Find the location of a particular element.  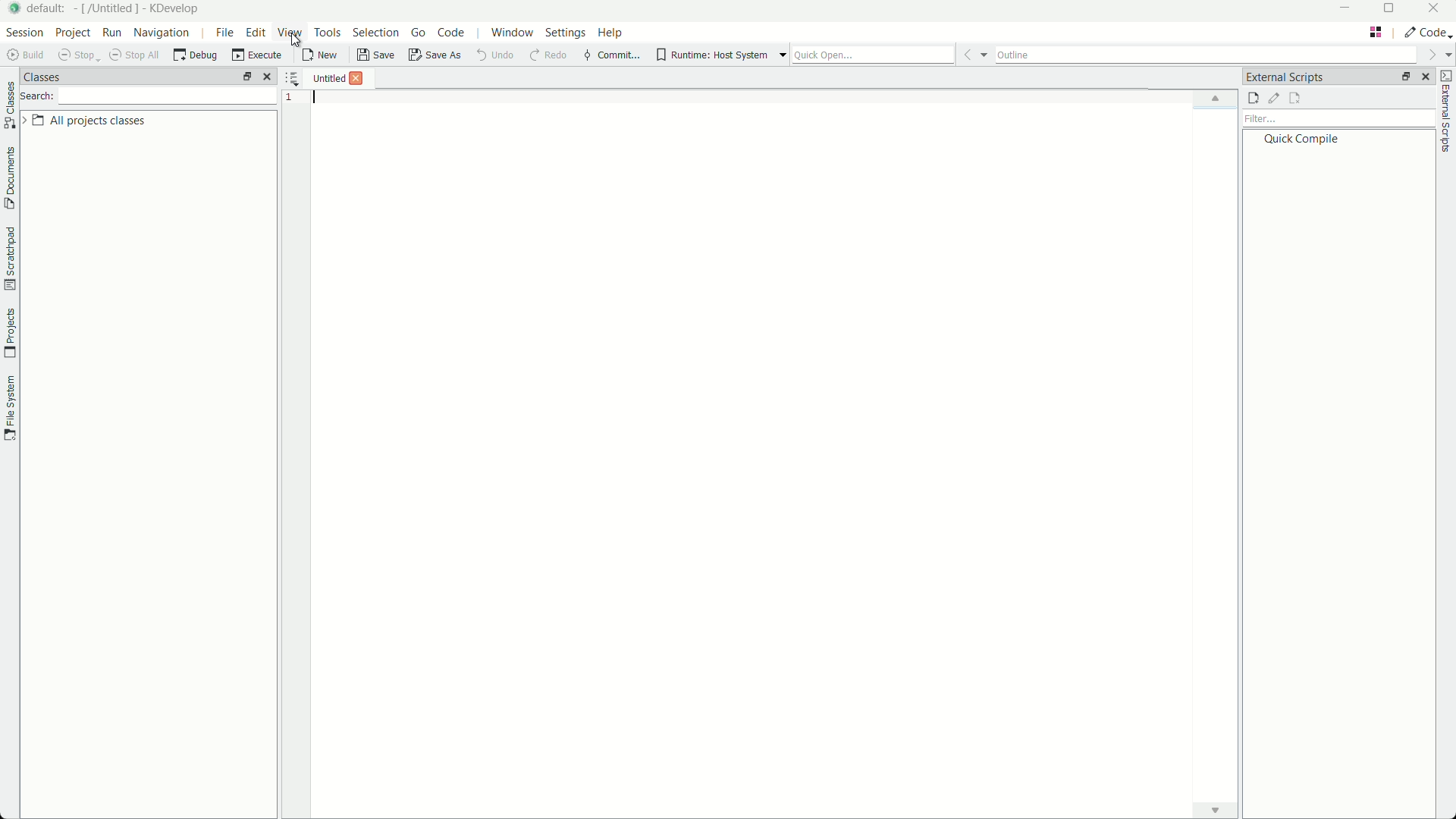

remove external scripts is located at coordinates (1294, 99).